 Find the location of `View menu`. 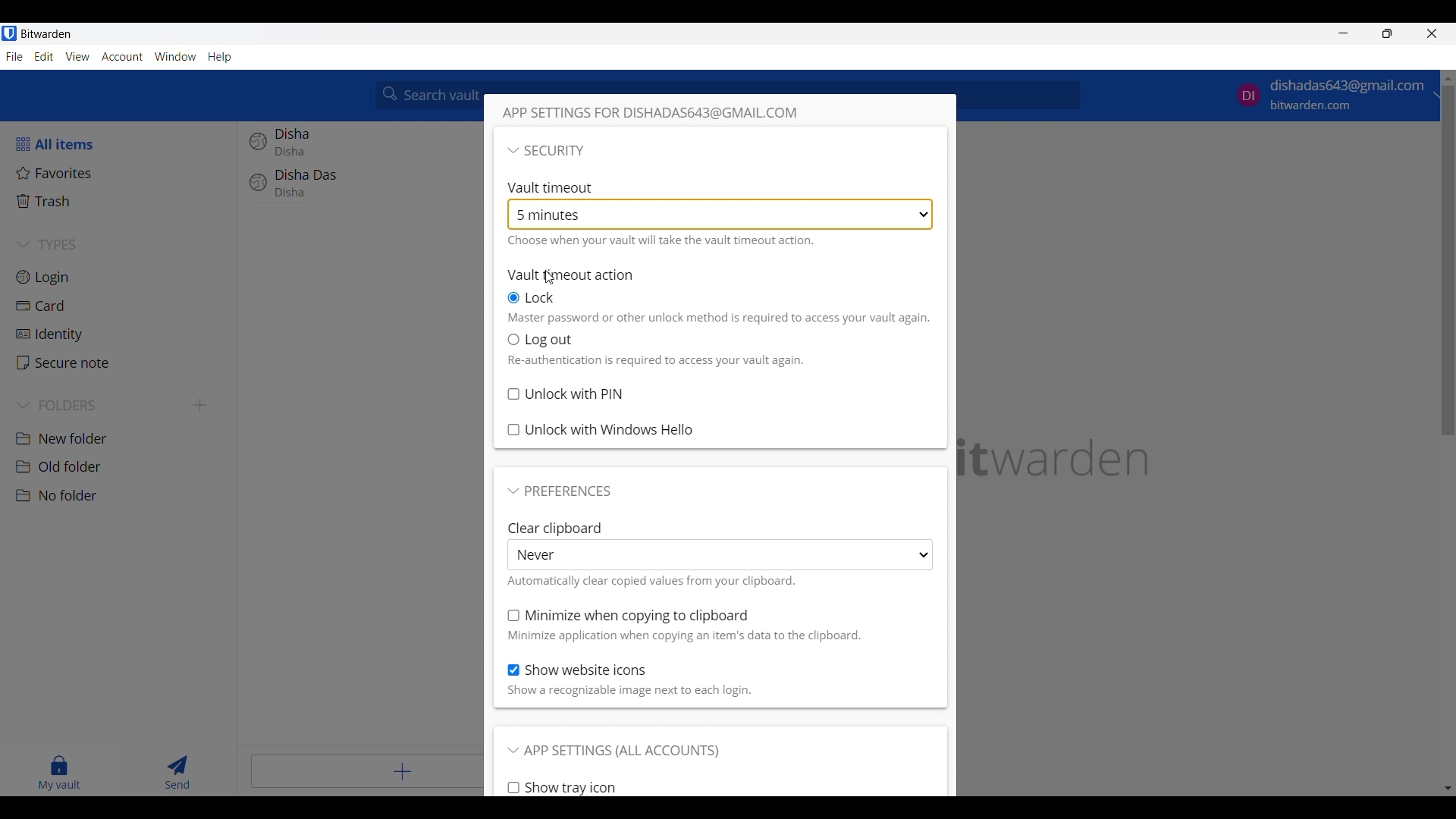

View menu is located at coordinates (77, 57).